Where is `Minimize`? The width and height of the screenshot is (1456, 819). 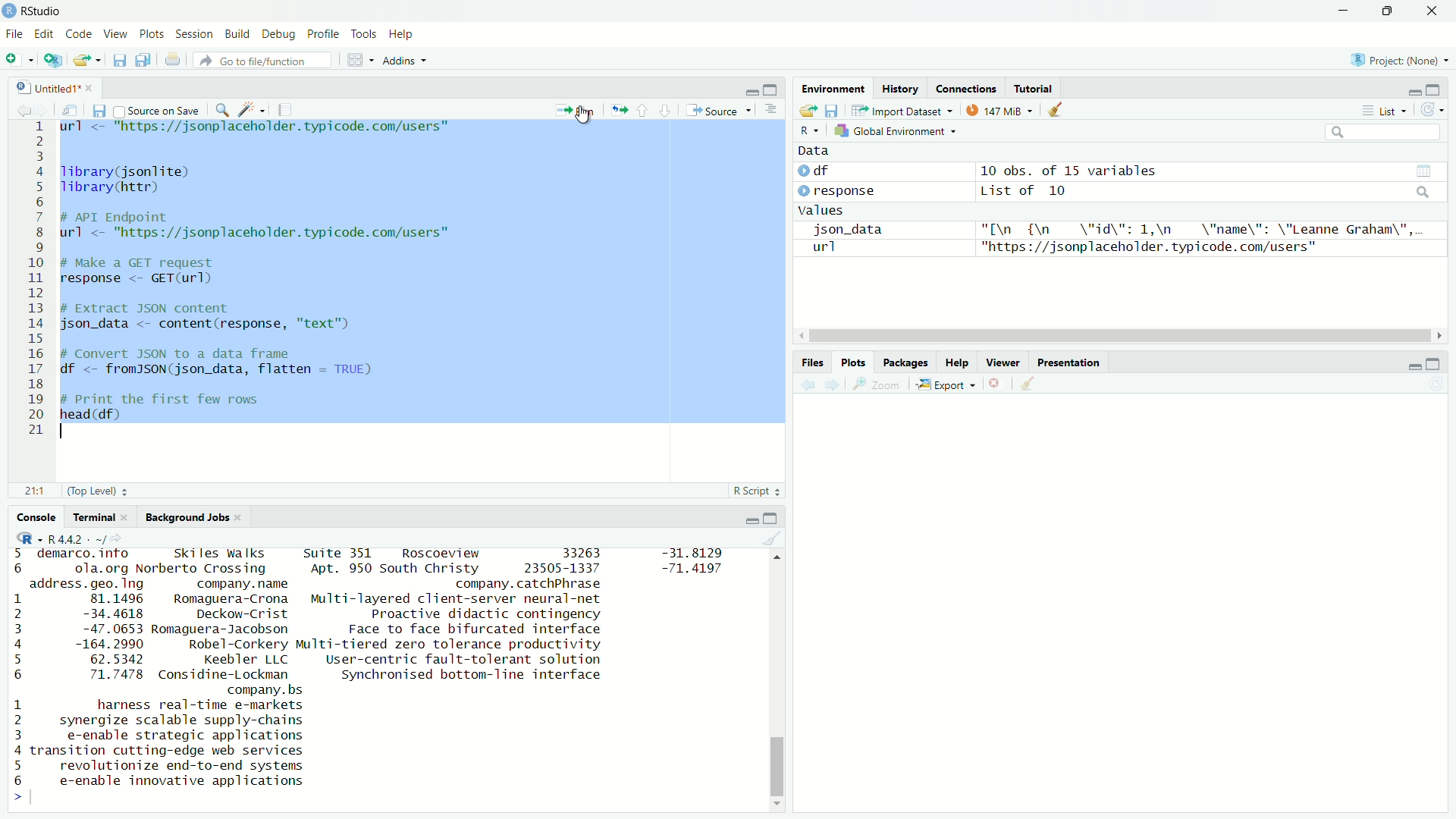 Minimize is located at coordinates (1412, 366).